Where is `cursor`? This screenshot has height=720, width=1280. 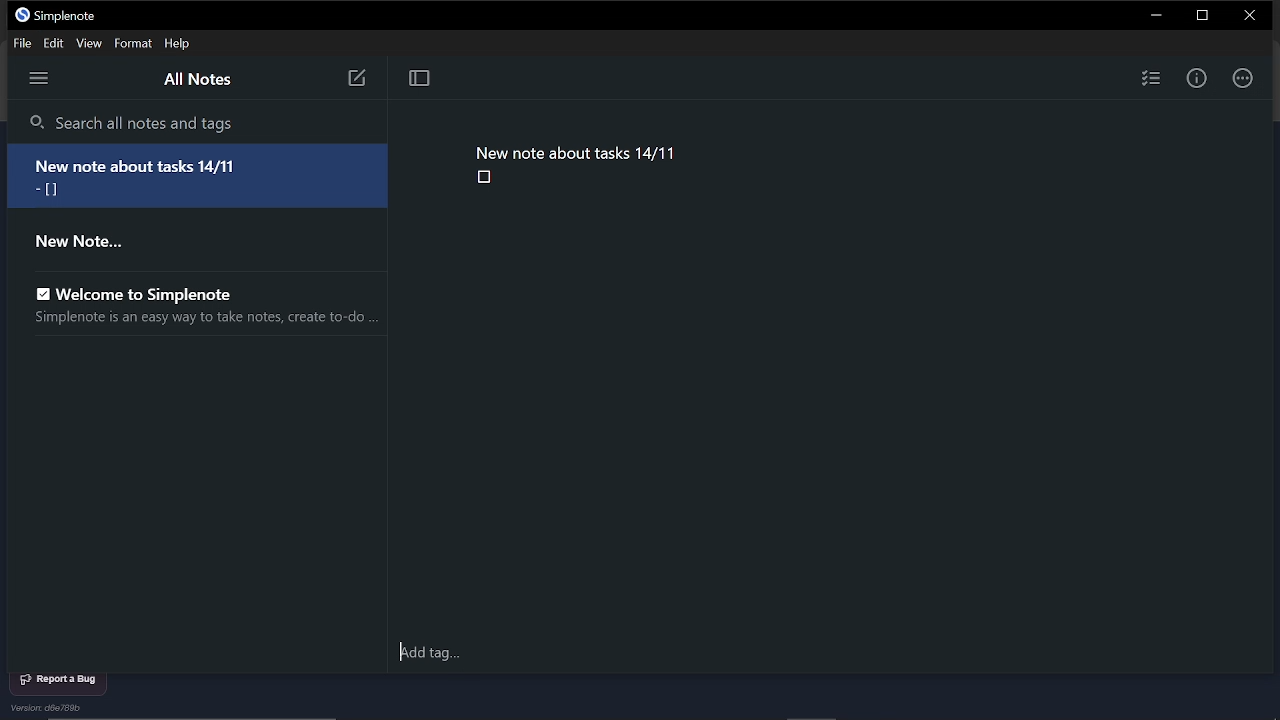 cursor is located at coordinates (401, 653).